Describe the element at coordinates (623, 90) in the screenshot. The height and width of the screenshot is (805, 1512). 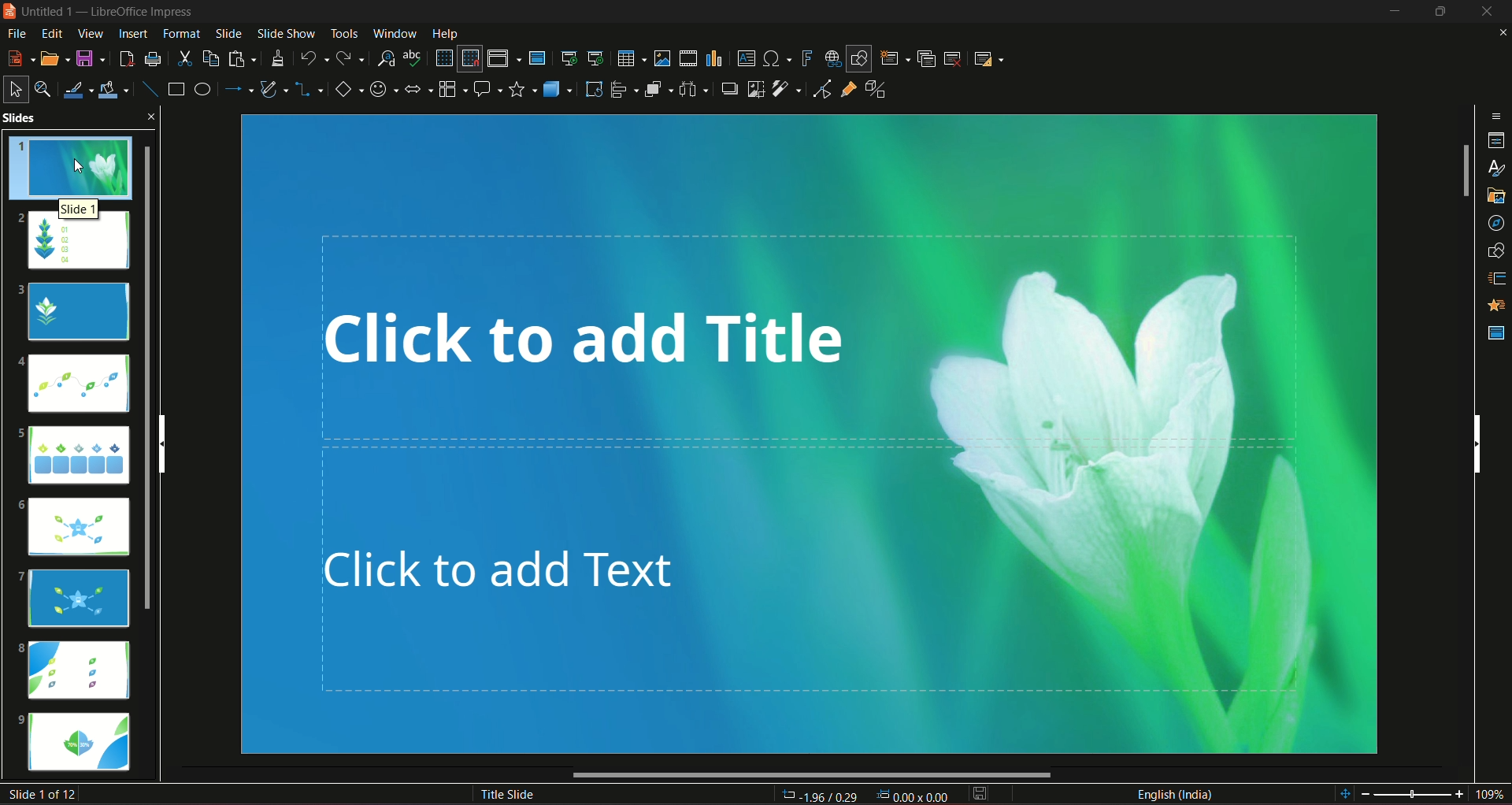
I see `align objects` at that location.